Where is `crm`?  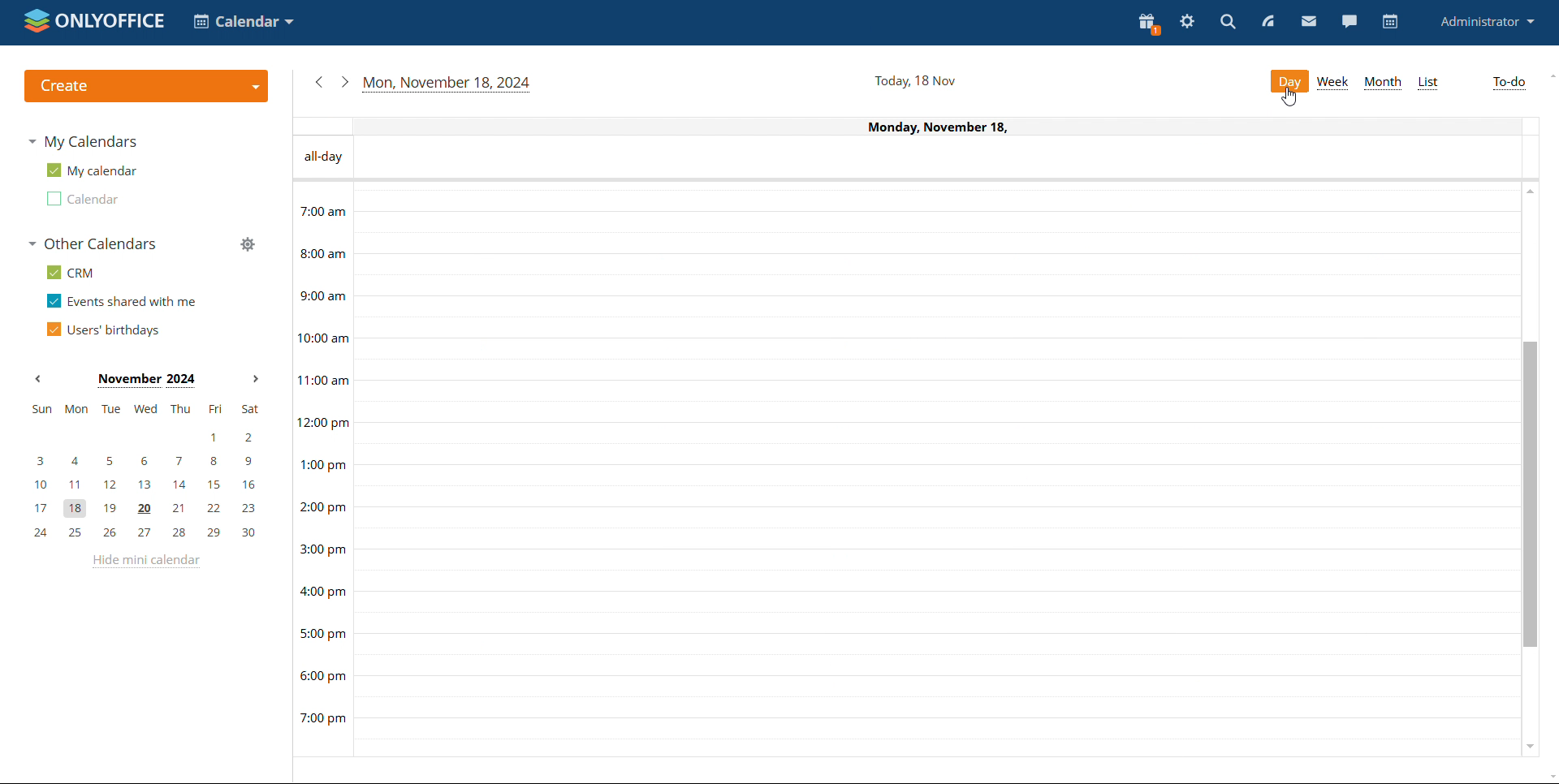 crm is located at coordinates (69, 273).